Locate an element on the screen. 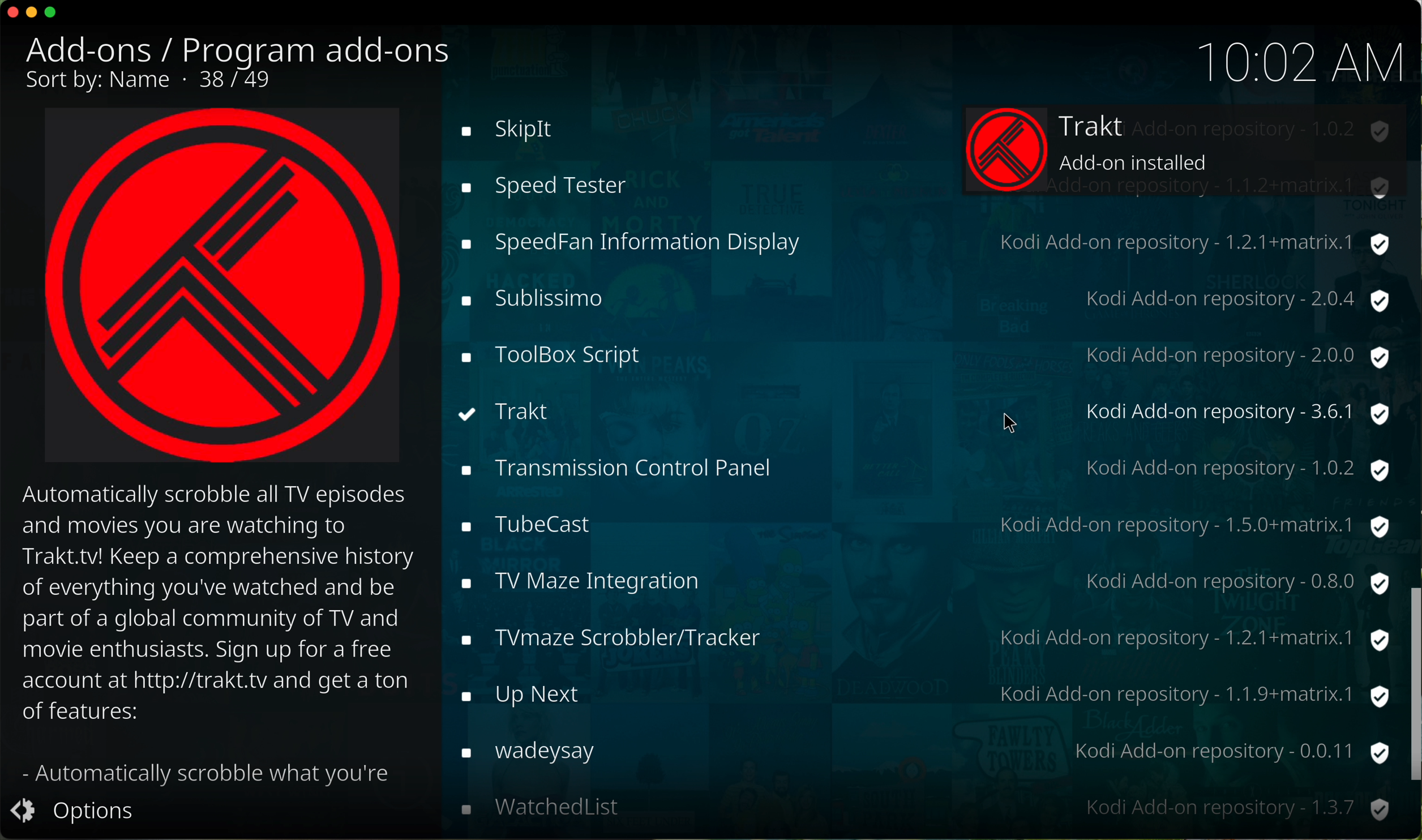 This screenshot has width=1422, height=840. watchedlist is located at coordinates (924, 582).